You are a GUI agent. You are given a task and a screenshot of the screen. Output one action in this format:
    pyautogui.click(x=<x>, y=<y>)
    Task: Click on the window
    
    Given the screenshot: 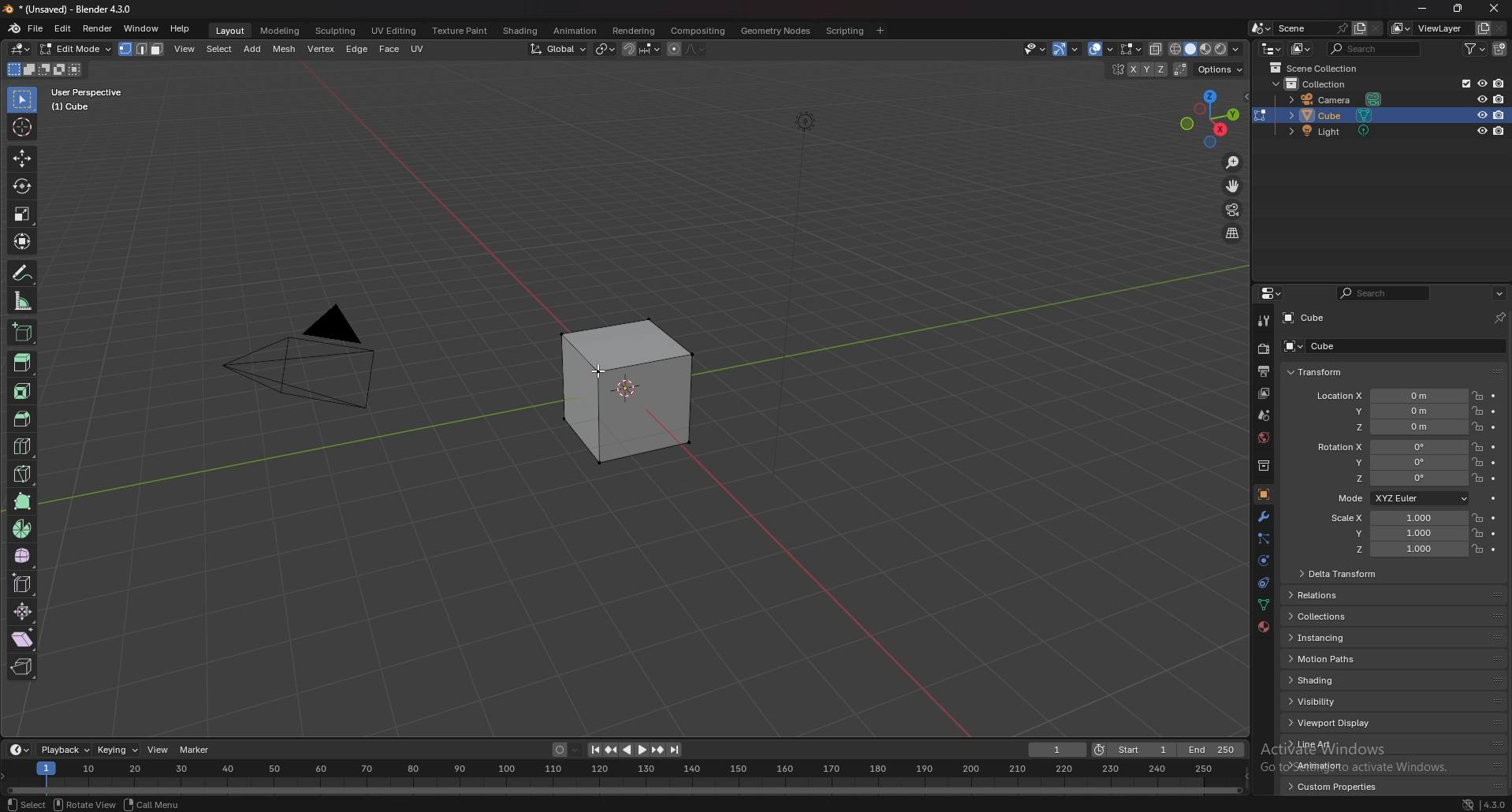 What is the action you would take?
    pyautogui.click(x=143, y=28)
    